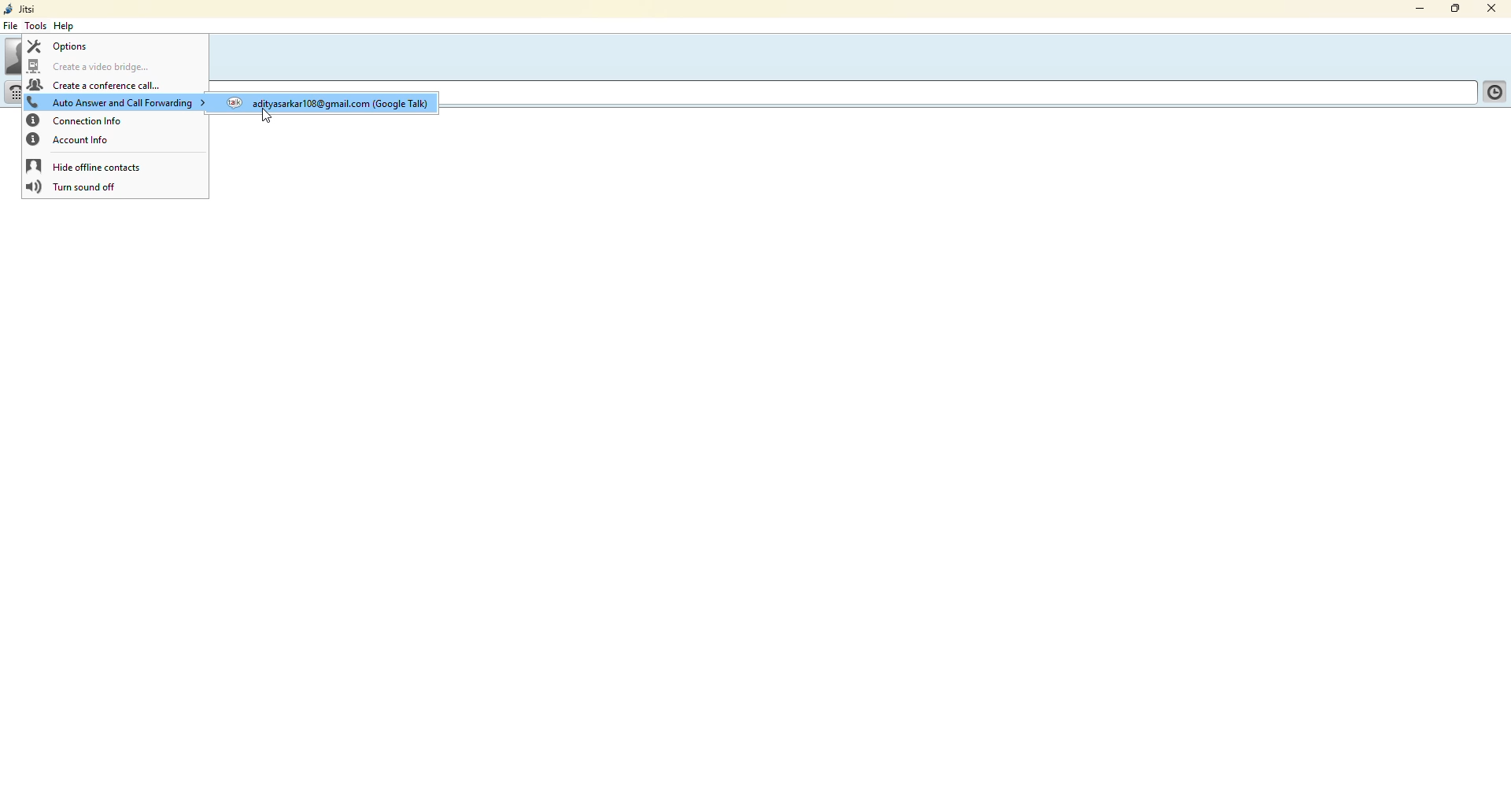 Image resolution: width=1511 pixels, height=812 pixels. Describe the element at coordinates (22, 9) in the screenshot. I see `jitsi` at that location.